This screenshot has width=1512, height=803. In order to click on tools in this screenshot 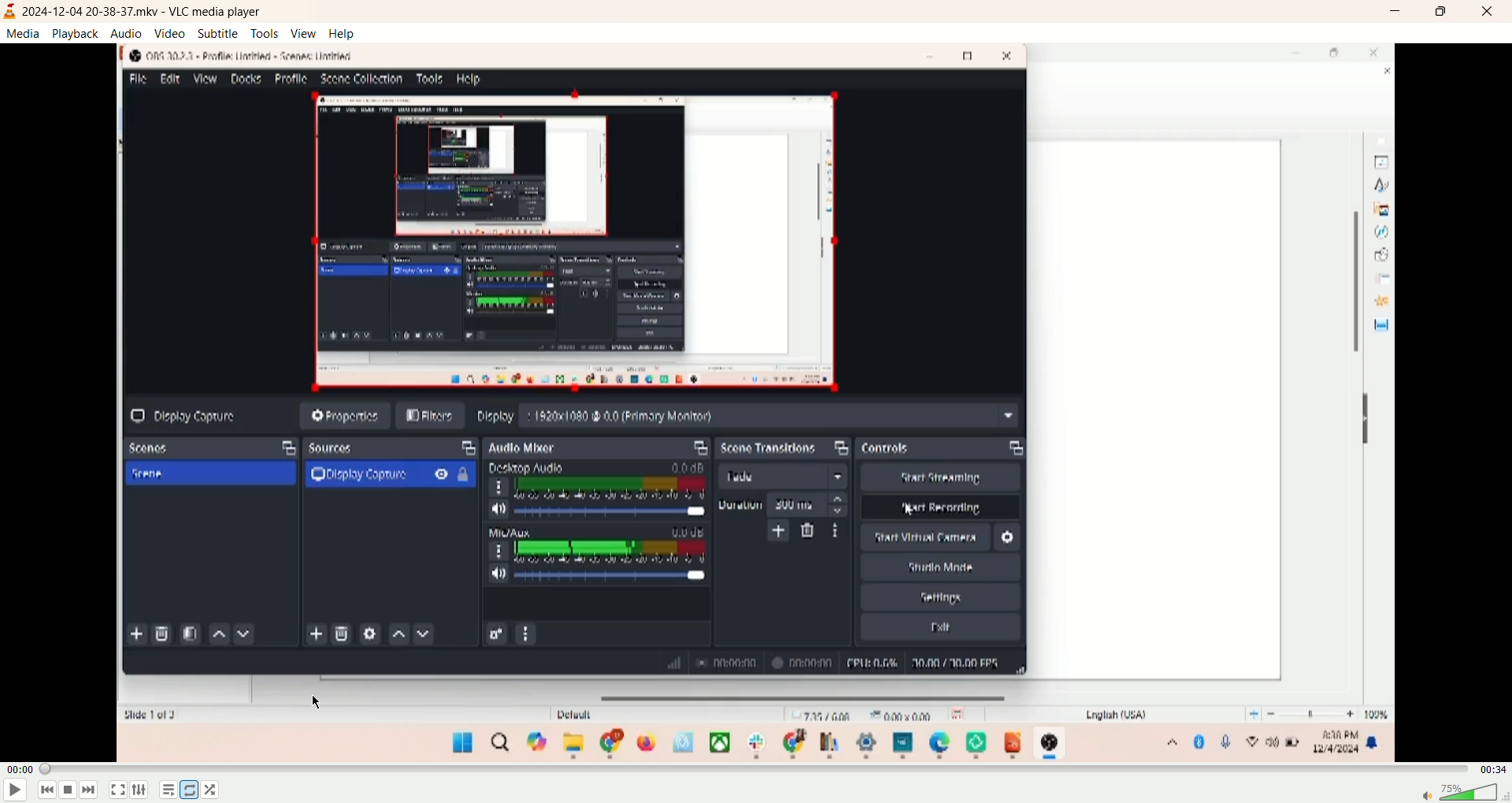, I will do `click(264, 32)`.